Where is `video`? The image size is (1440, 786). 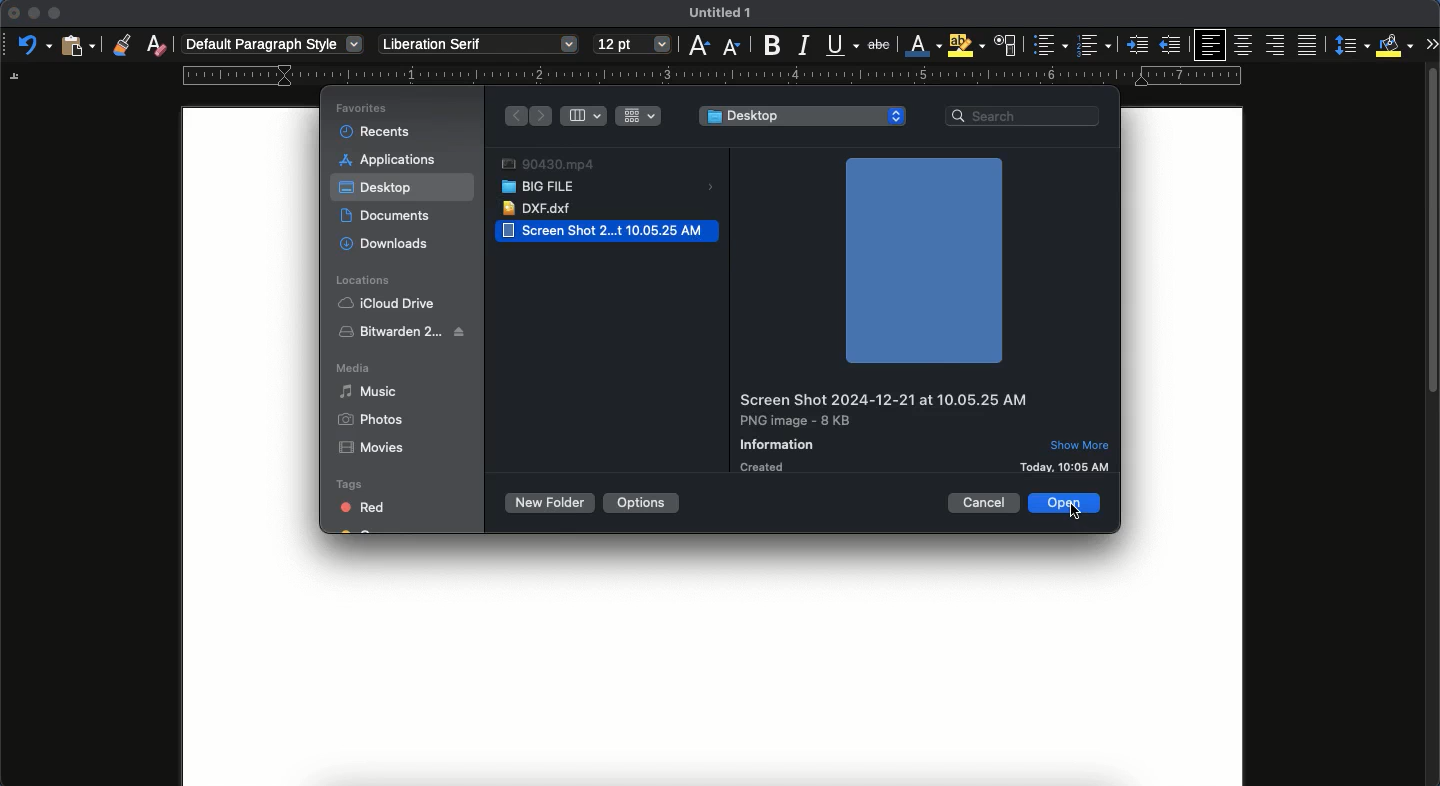
video is located at coordinates (547, 163).